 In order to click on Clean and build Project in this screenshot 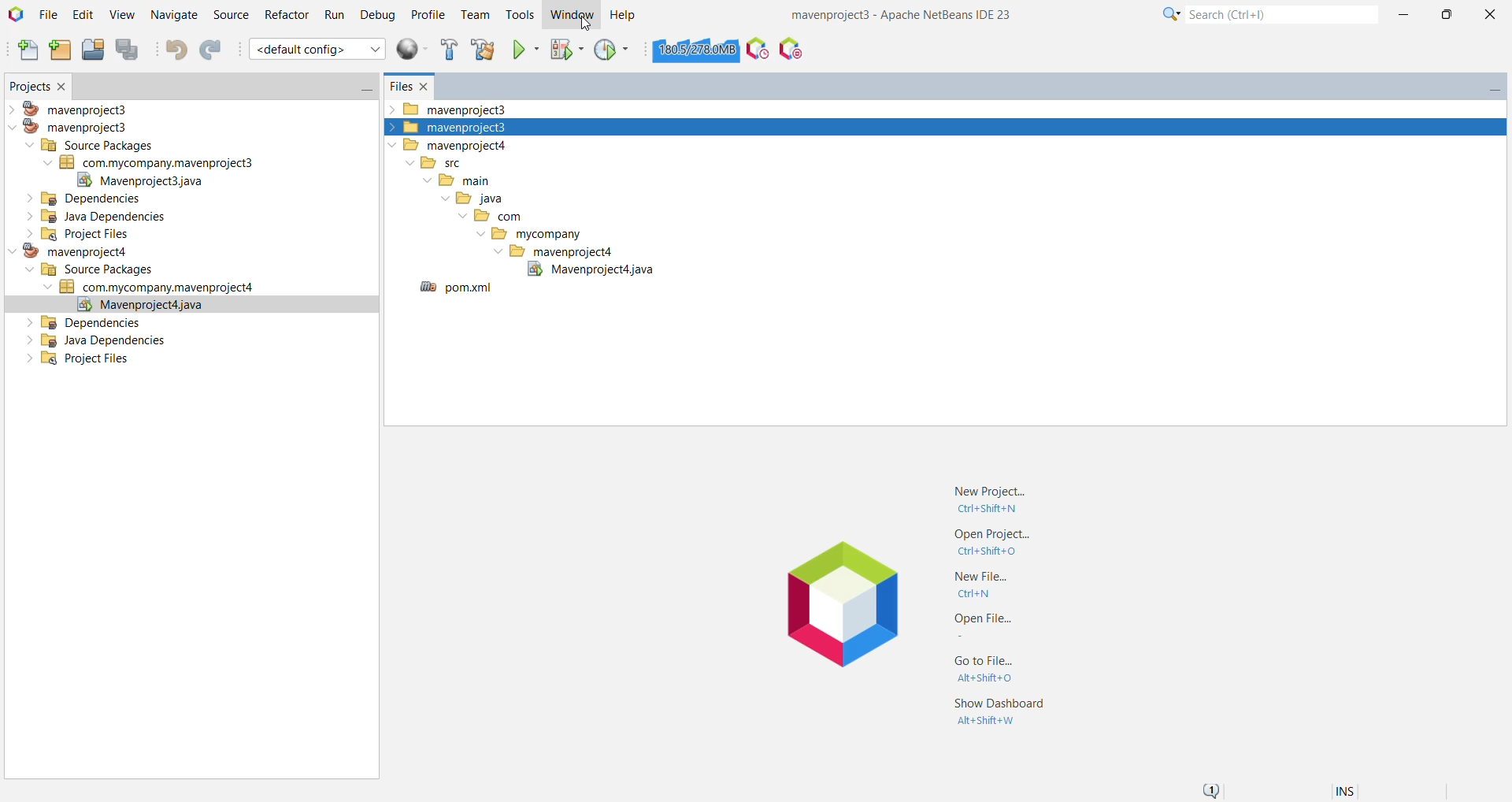, I will do `click(482, 50)`.